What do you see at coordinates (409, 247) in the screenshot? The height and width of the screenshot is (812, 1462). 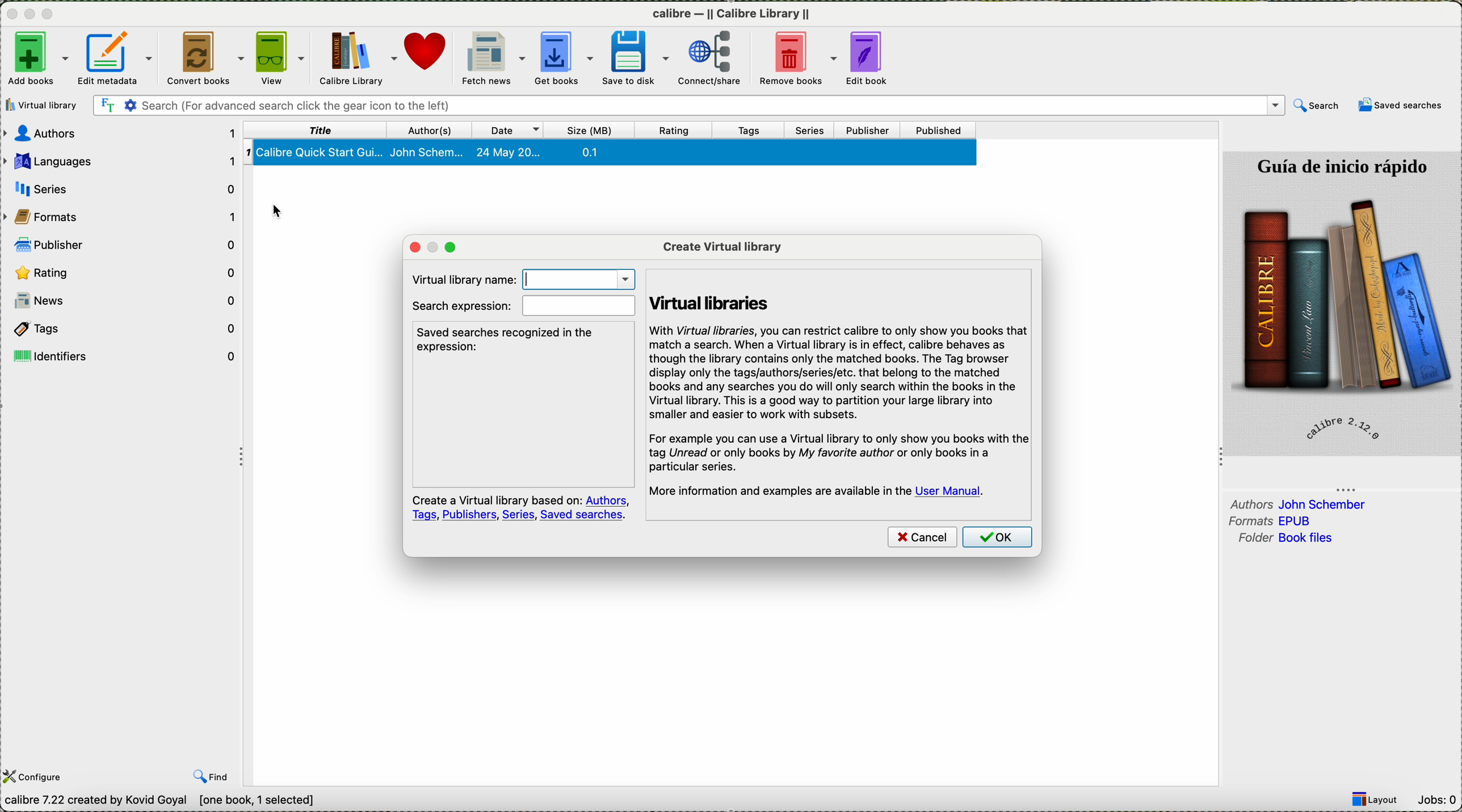 I see `close popup` at bounding box center [409, 247].